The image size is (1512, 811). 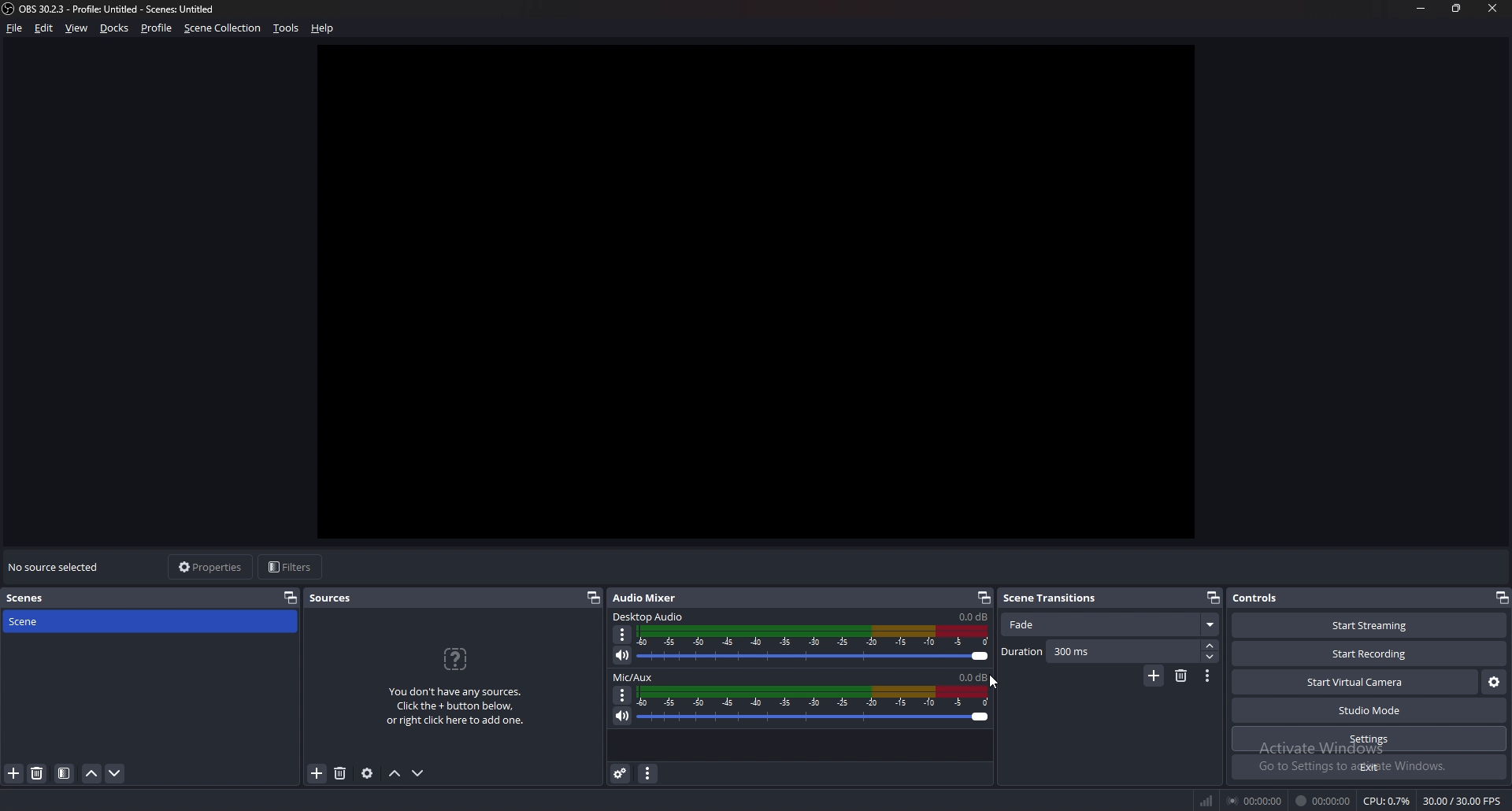 I want to click on duration, so click(x=1023, y=652).